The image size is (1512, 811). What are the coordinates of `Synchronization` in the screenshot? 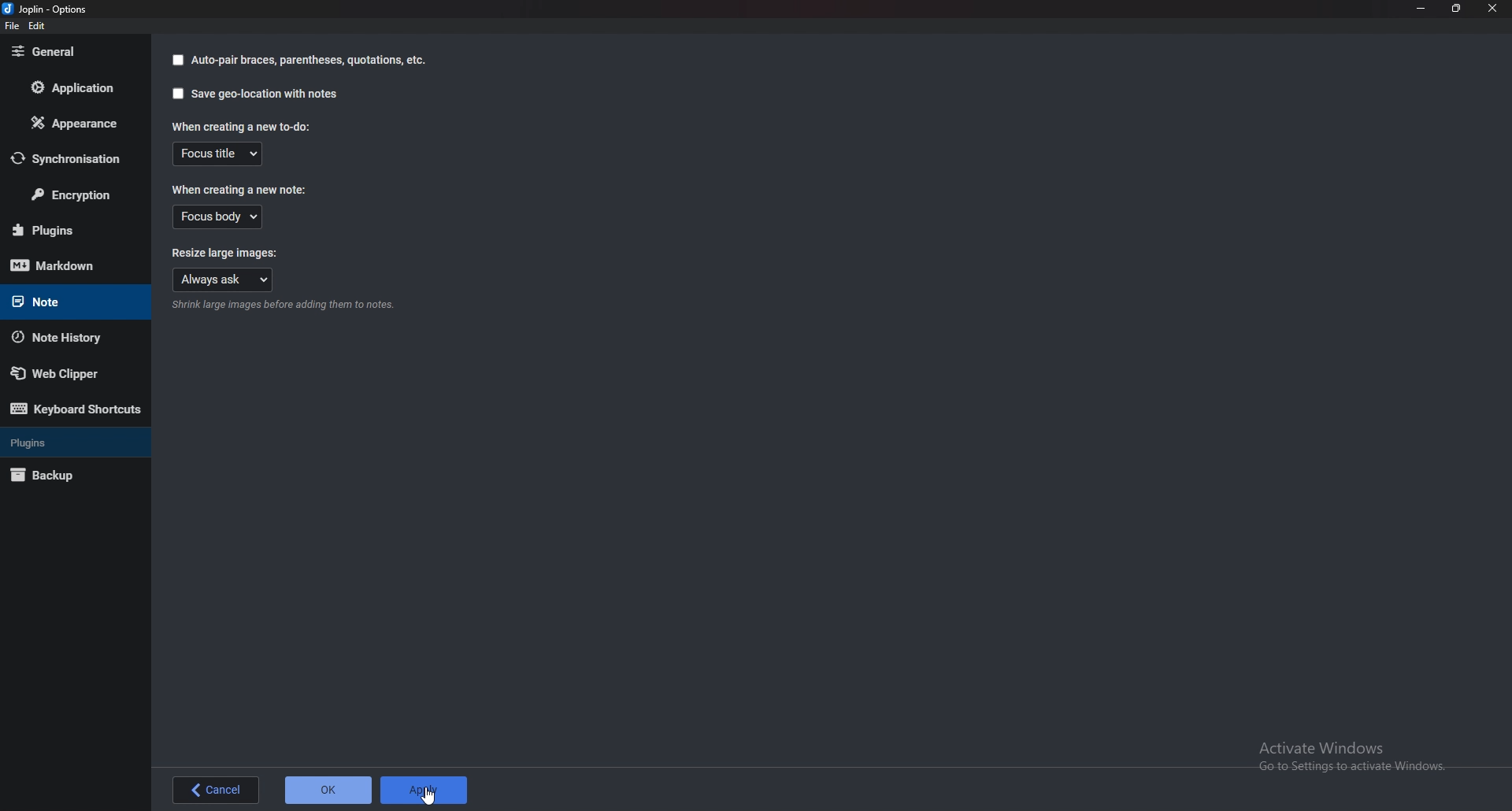 It's located at (73, 158).